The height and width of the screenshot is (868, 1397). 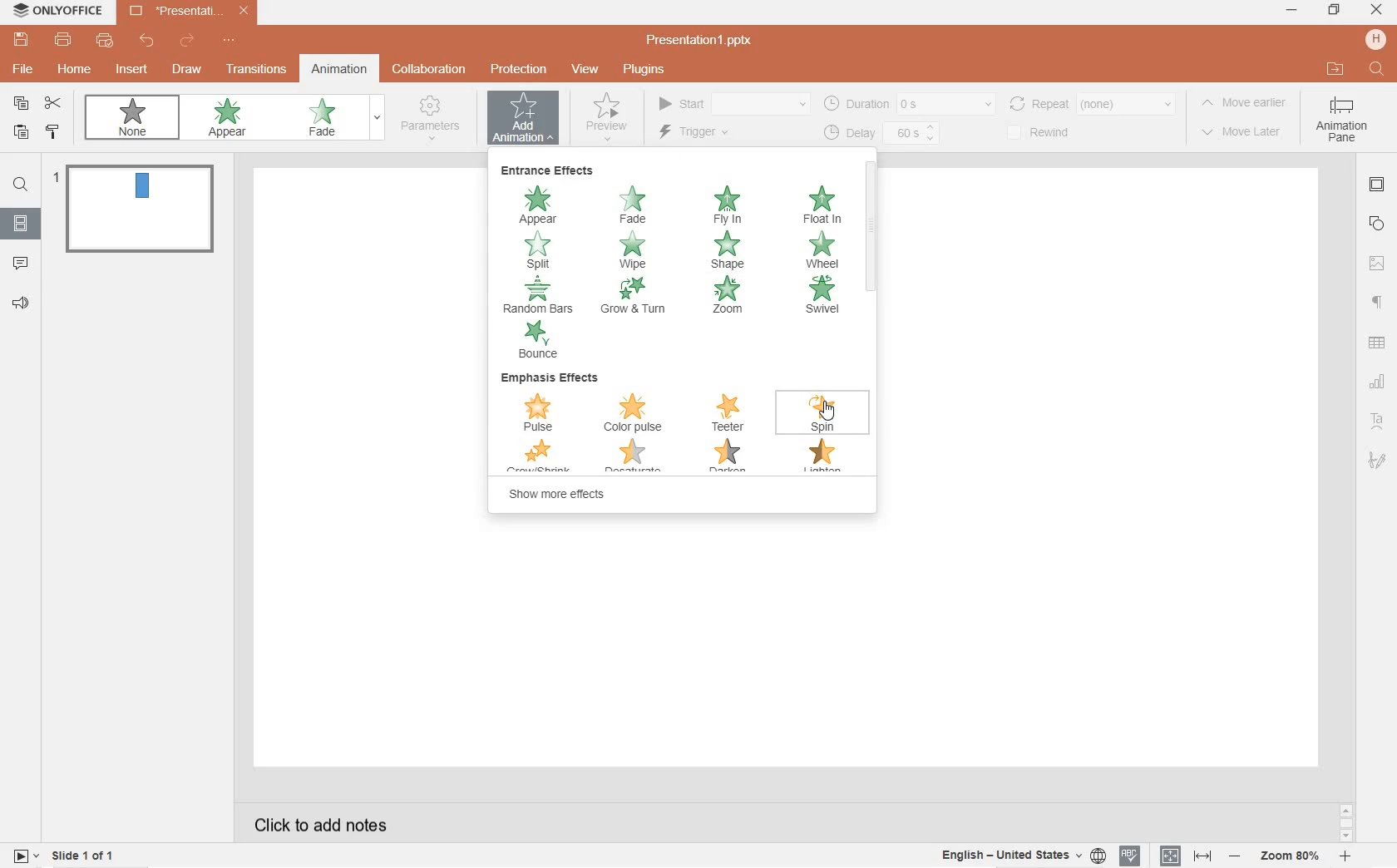 I want to click on draw, so click(x=186, y=67).